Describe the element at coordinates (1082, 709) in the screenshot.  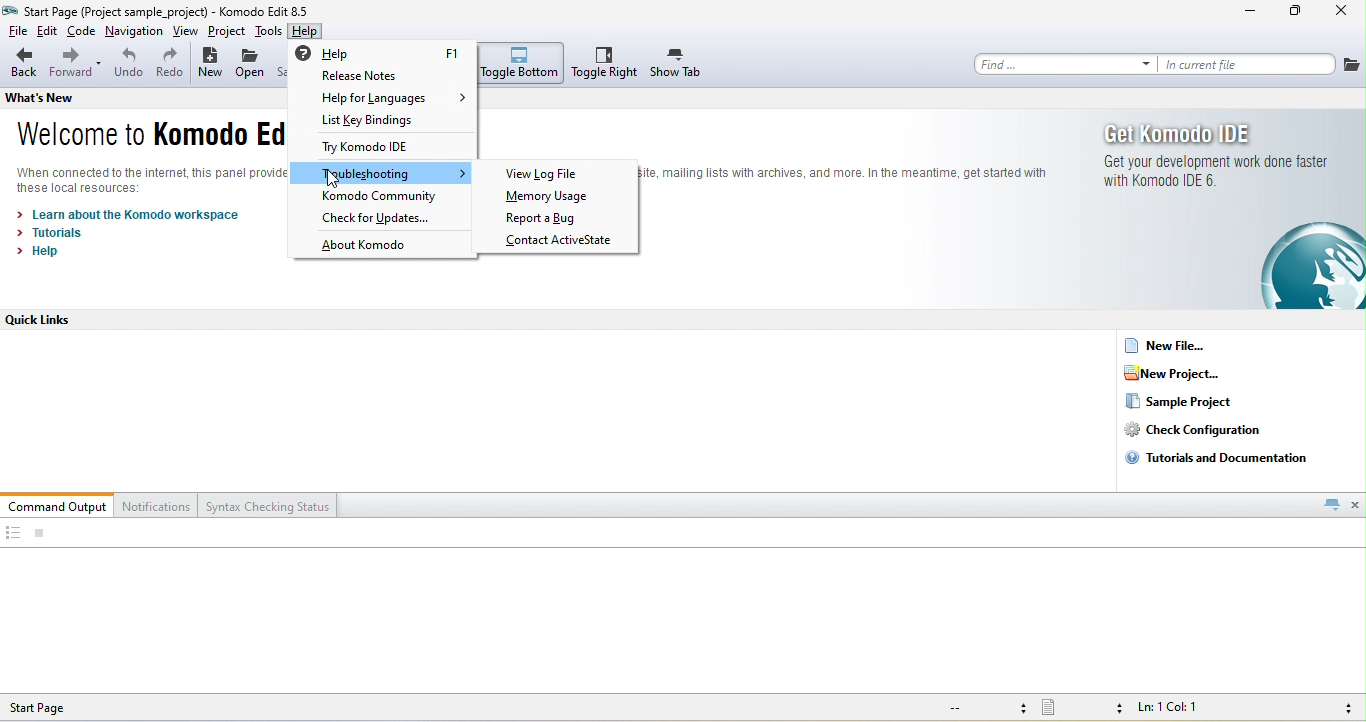
I see `file type` at that location.